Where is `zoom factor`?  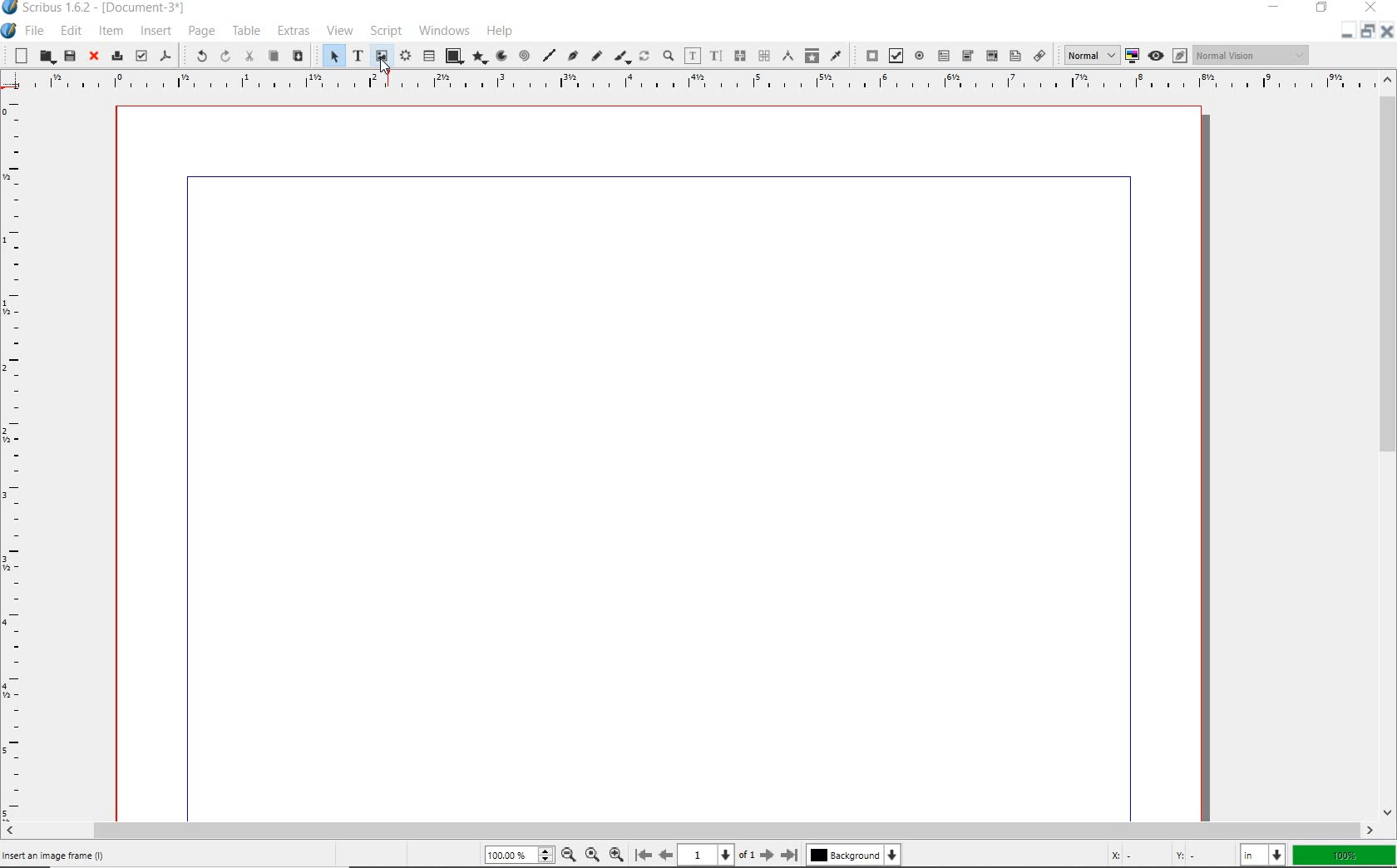
zoom factor is located at coordinates (1344, 854).